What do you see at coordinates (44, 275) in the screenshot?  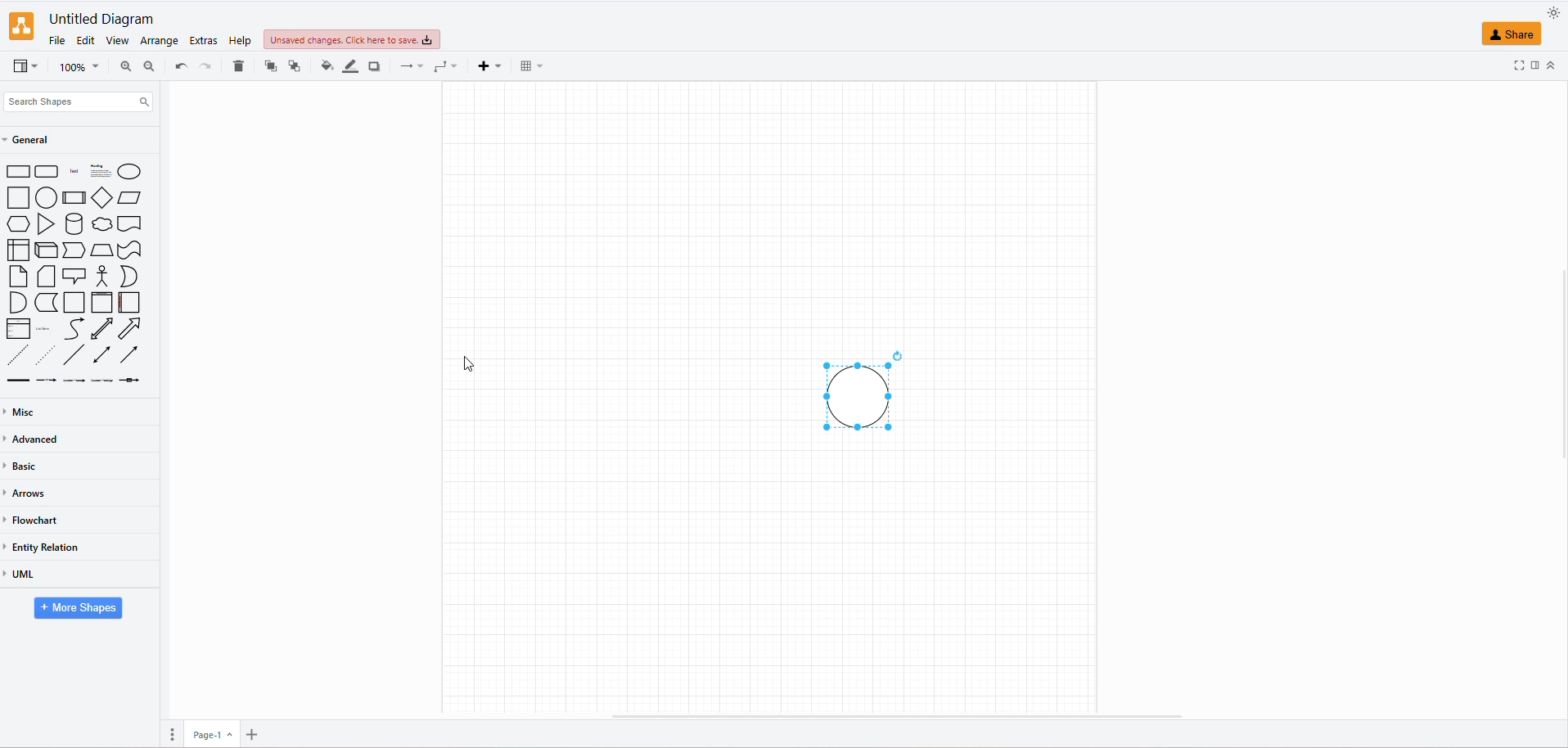 I see `CARD` at bounding box center [44, 275].